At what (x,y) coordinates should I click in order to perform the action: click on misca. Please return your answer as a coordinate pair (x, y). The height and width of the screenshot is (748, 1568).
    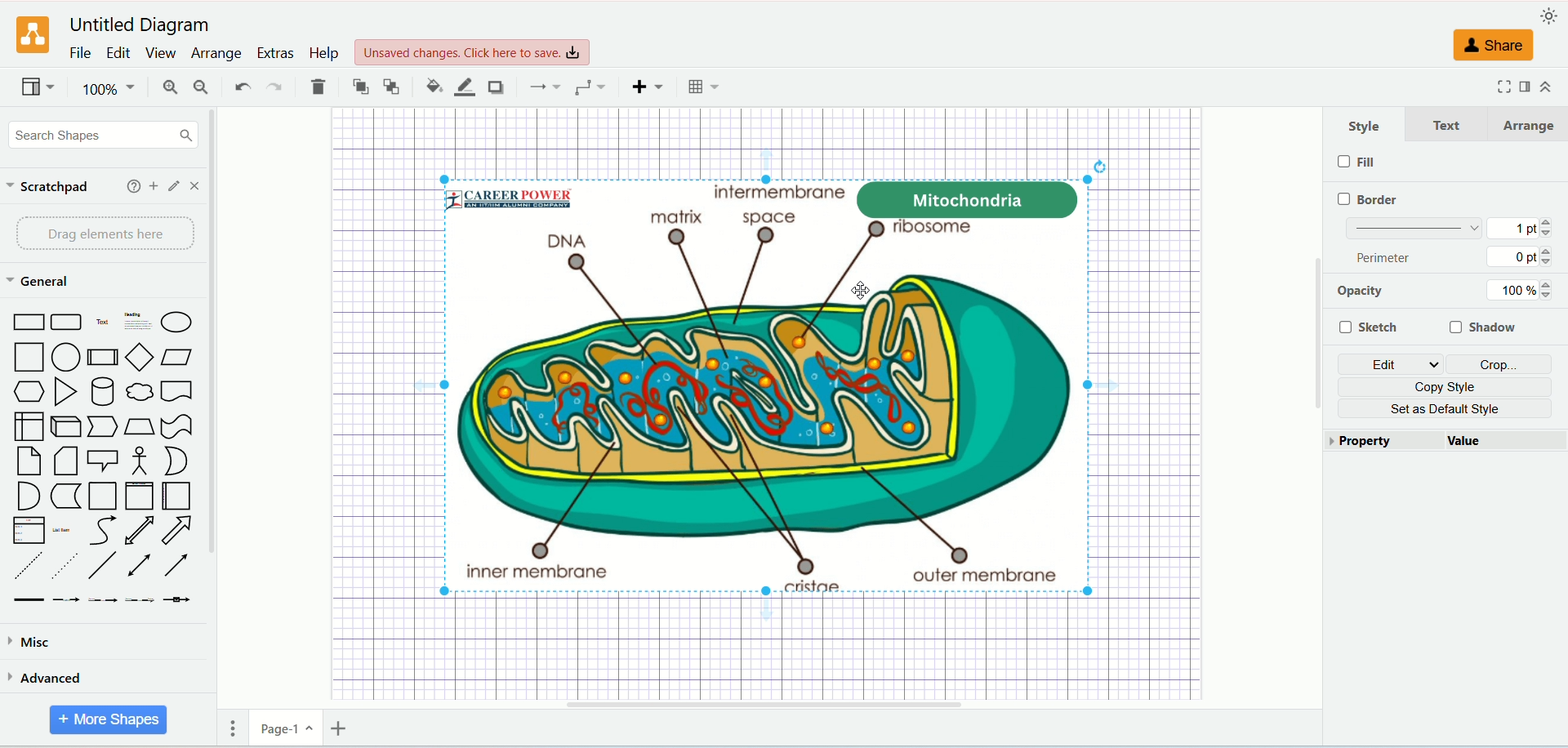
    Looking at the image, I should click on (33, 643).